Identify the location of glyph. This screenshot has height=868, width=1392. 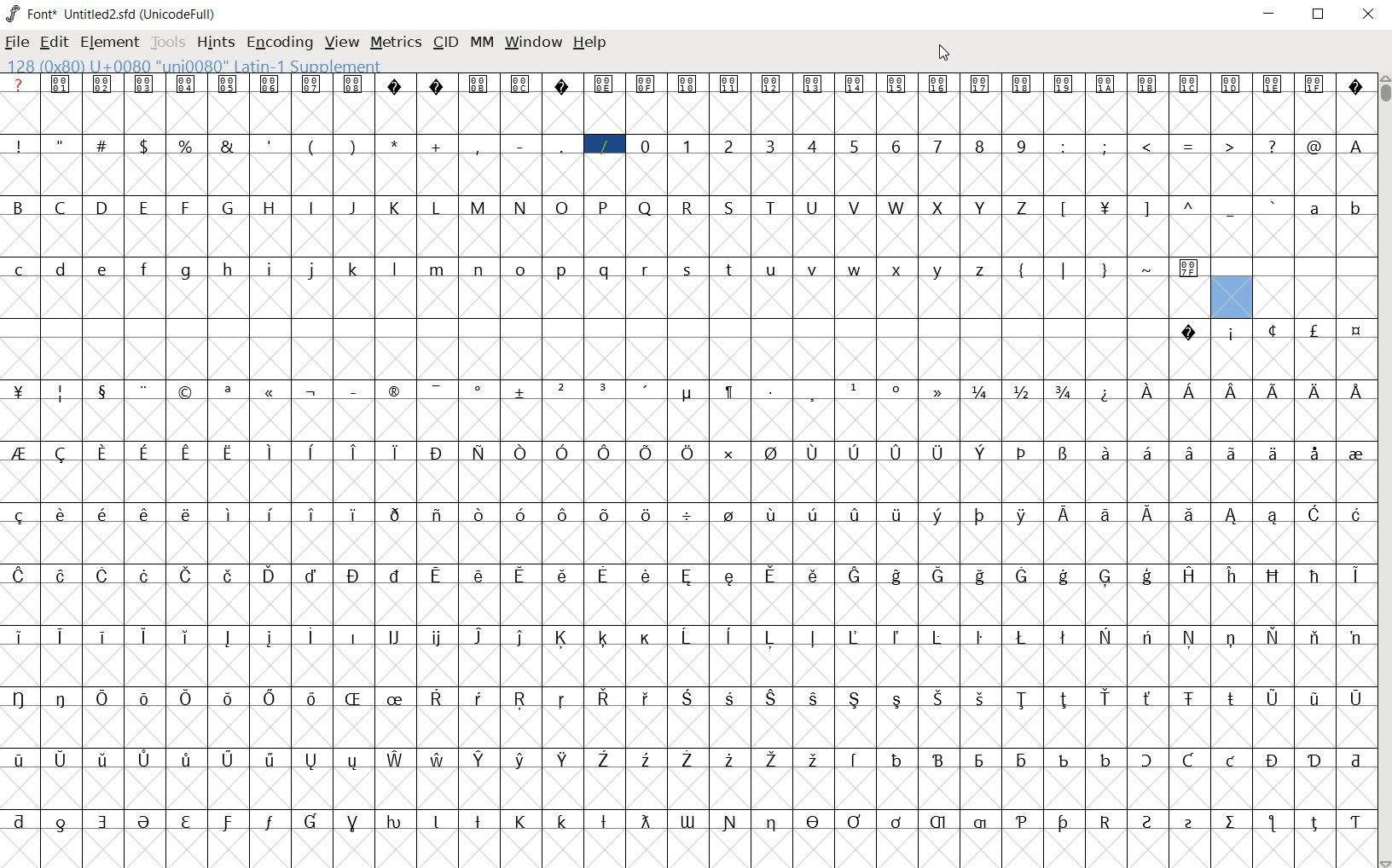
(61, 576).